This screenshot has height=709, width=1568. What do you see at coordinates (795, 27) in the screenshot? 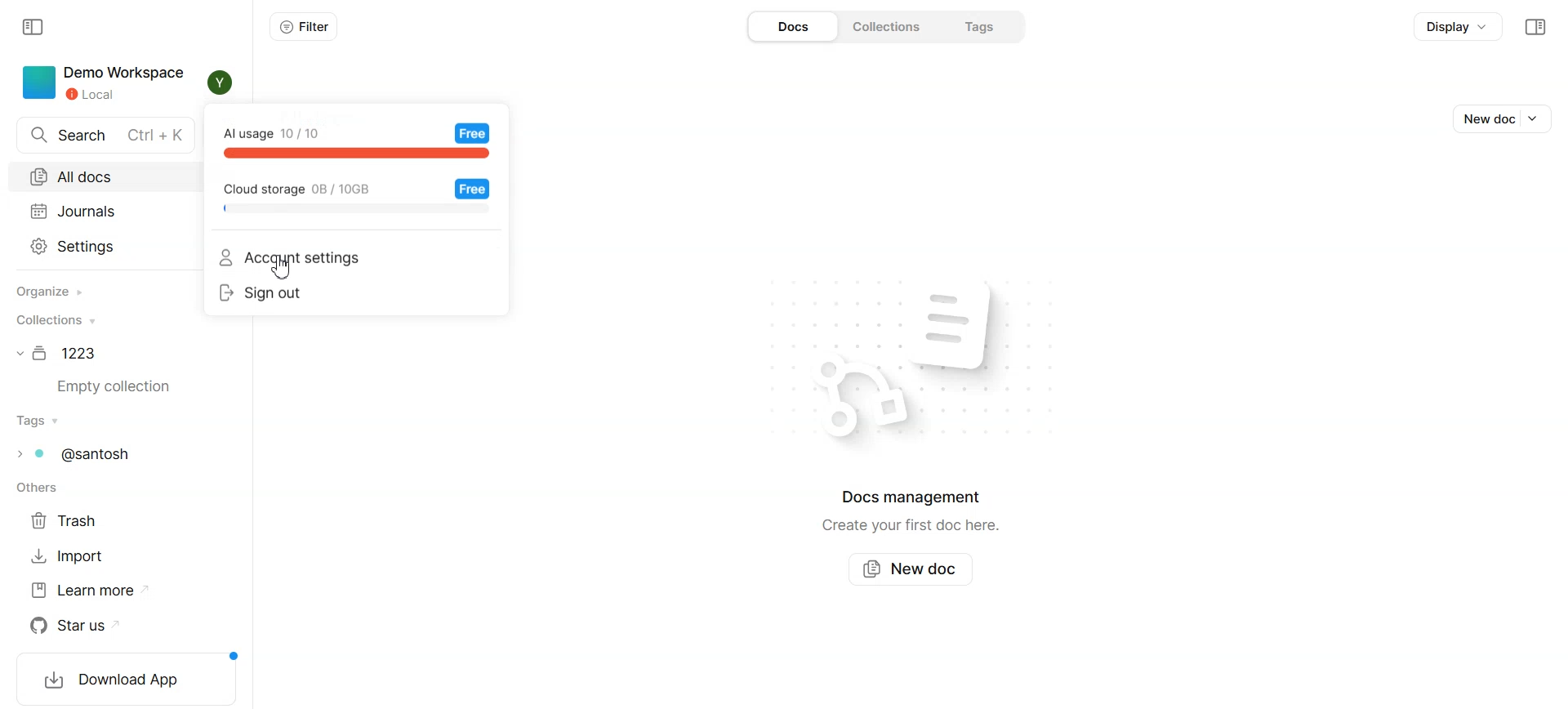
I see `Docs` at bounding box center [795, 27].